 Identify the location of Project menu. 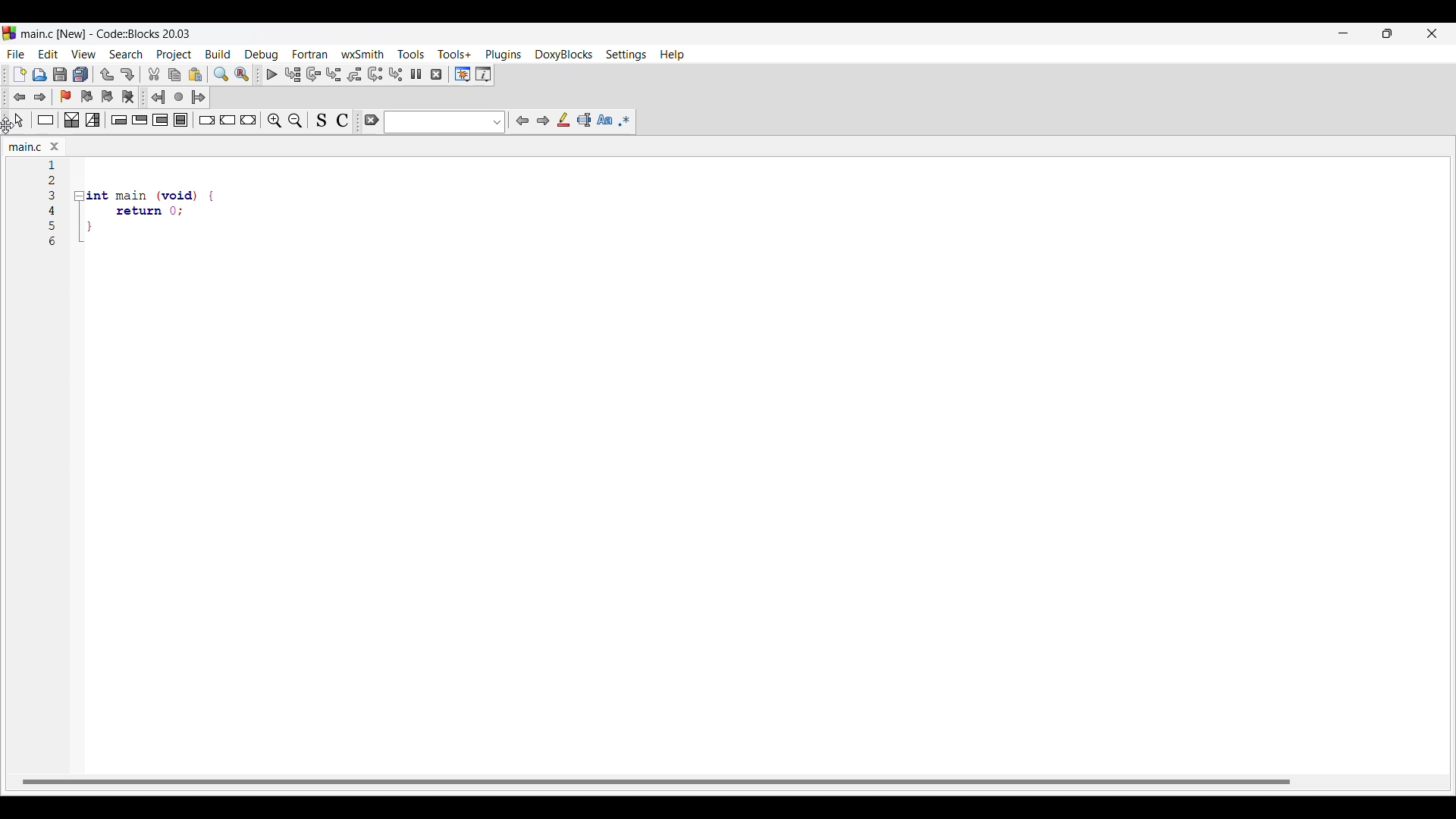
(174, 55).